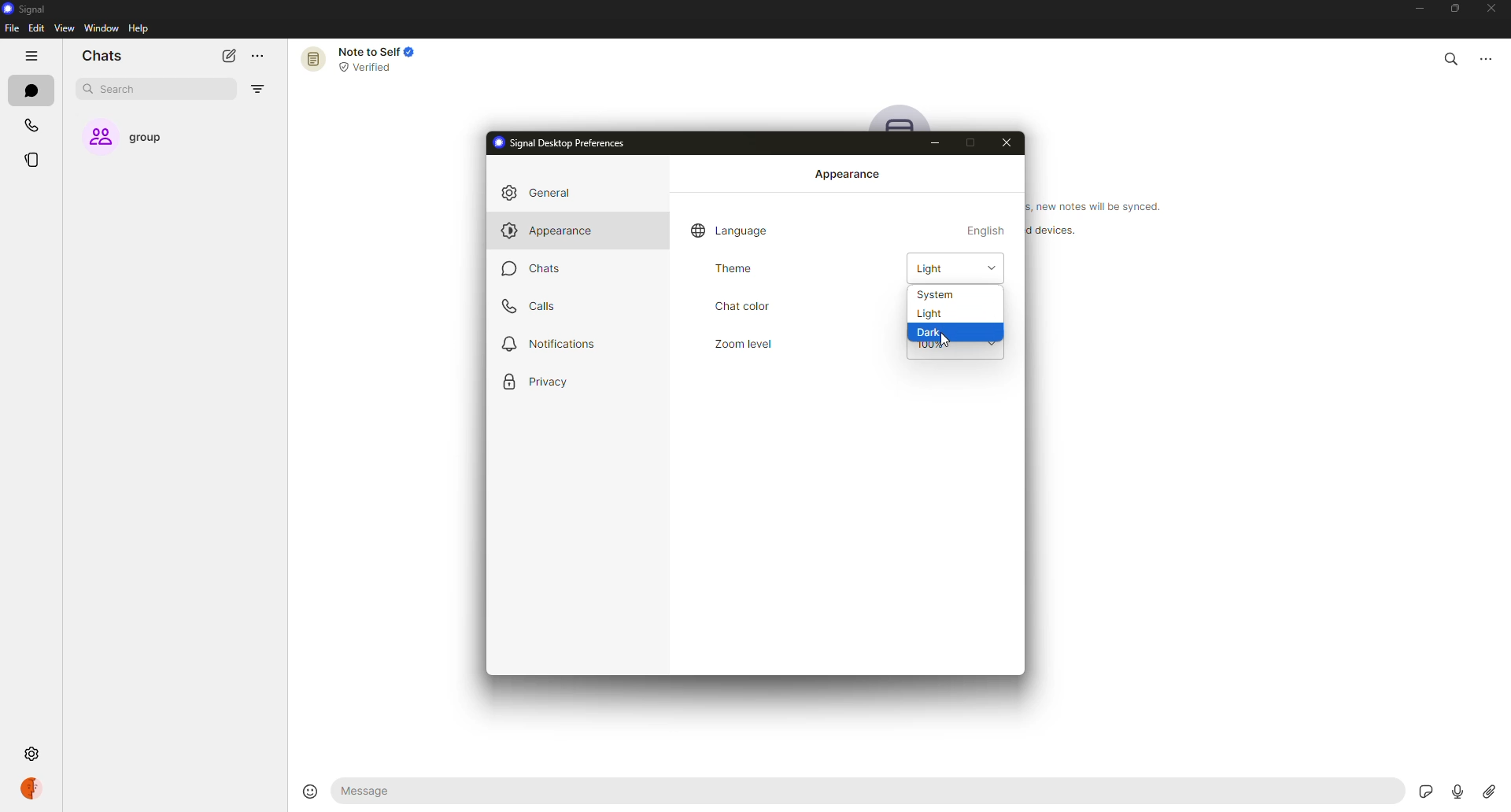 The image size is (1511, 812). What do you see at coordinates (139, 138) in the screenshot?
I see `group` at bounding box center [139, 138].